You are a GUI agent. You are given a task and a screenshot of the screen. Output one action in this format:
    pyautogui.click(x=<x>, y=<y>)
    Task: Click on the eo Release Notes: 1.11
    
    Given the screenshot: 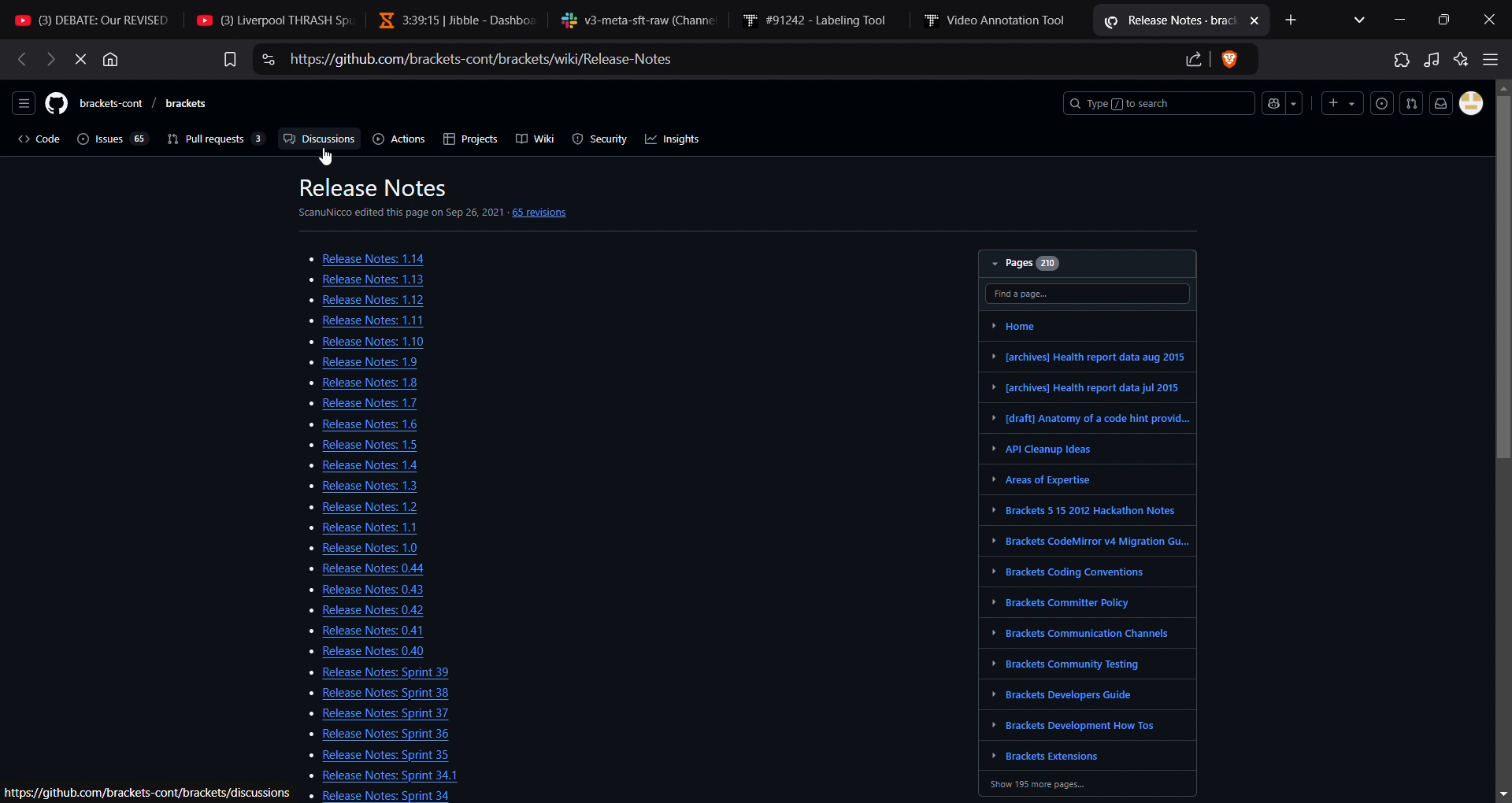 What is the action you would take?
    pyautogui.click(x=357, y=320)
    